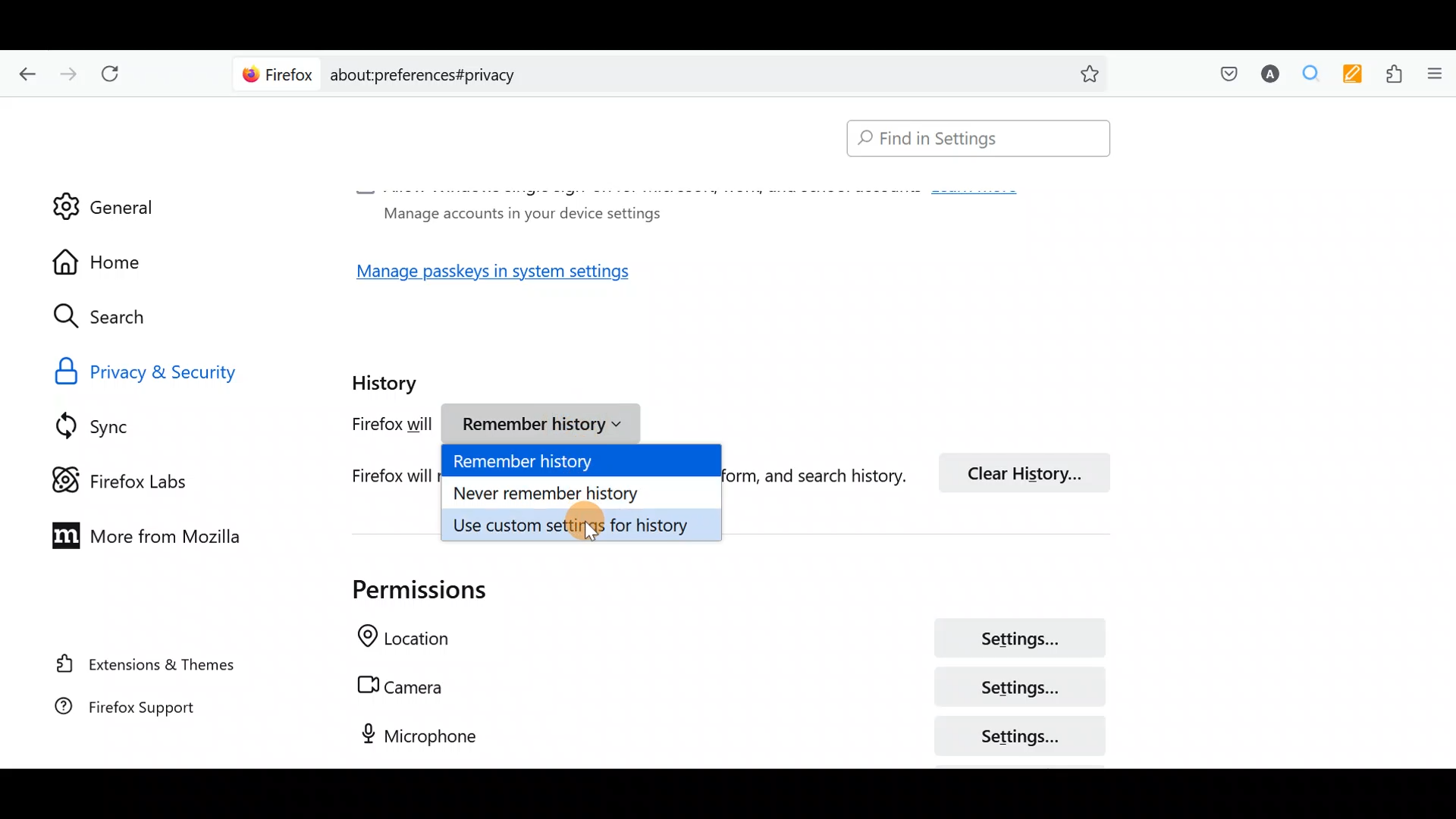  Describe the element at coordinates (722, 640) in the screenshot. I see `Location settings` at that location.